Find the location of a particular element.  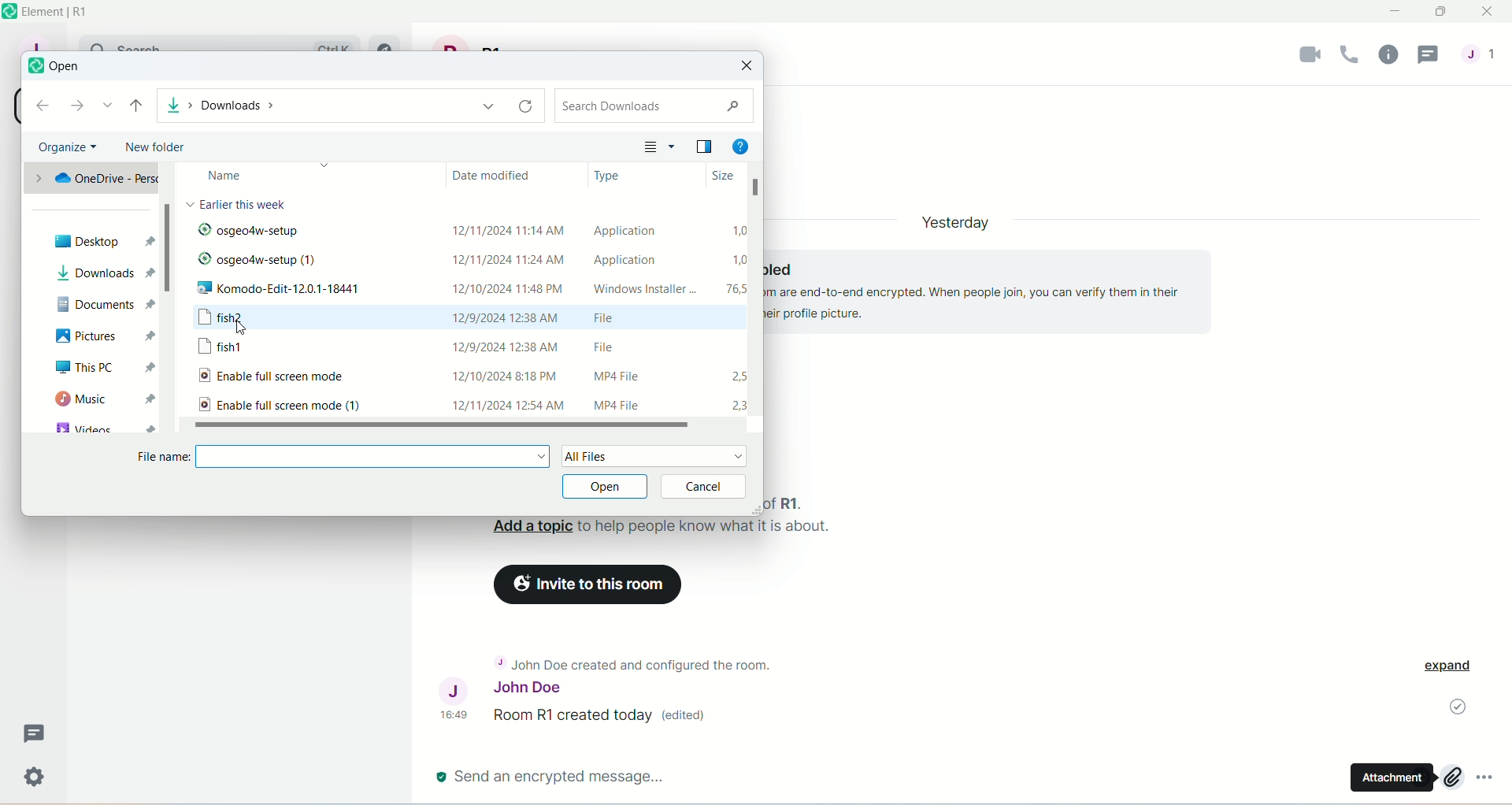

file name is located at coordinates (343, 458).